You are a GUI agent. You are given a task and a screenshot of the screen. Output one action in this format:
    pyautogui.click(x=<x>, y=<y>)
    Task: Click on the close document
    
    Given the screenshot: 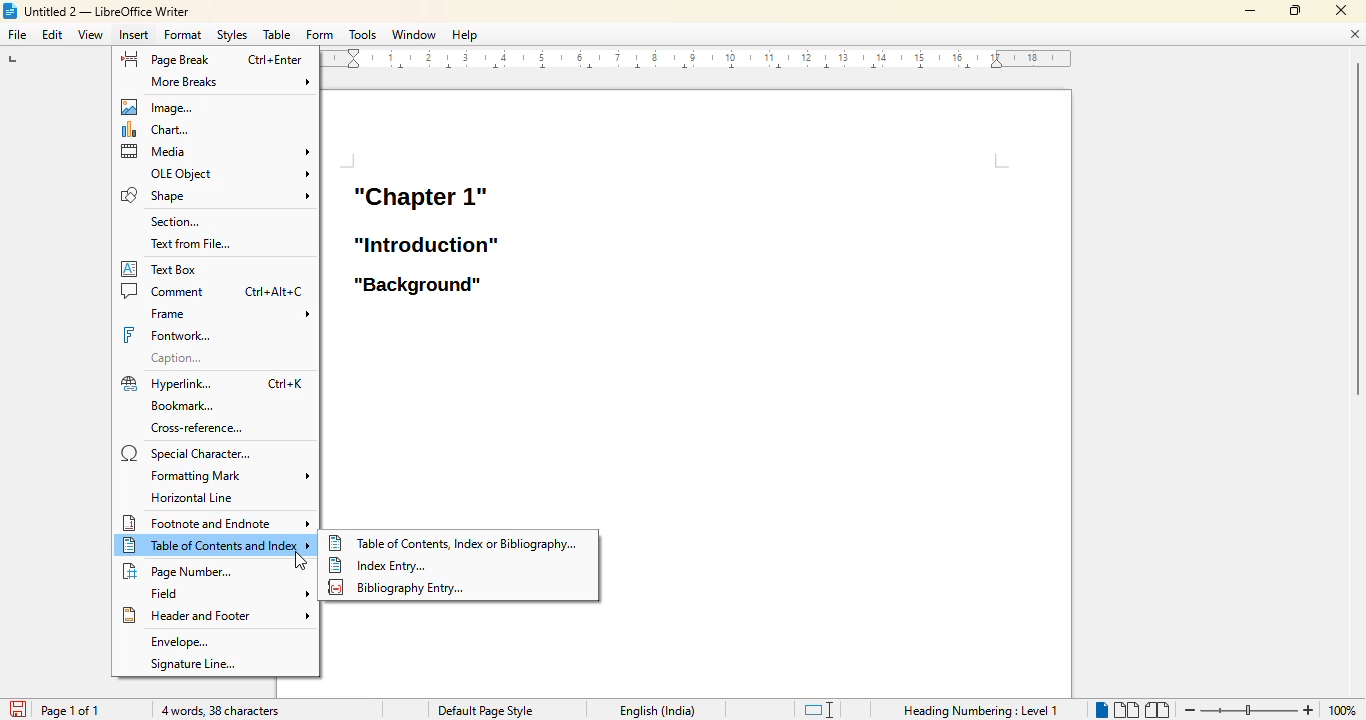 What is the action you would take?
    pyautogui.click(x=1354, y=34)
    